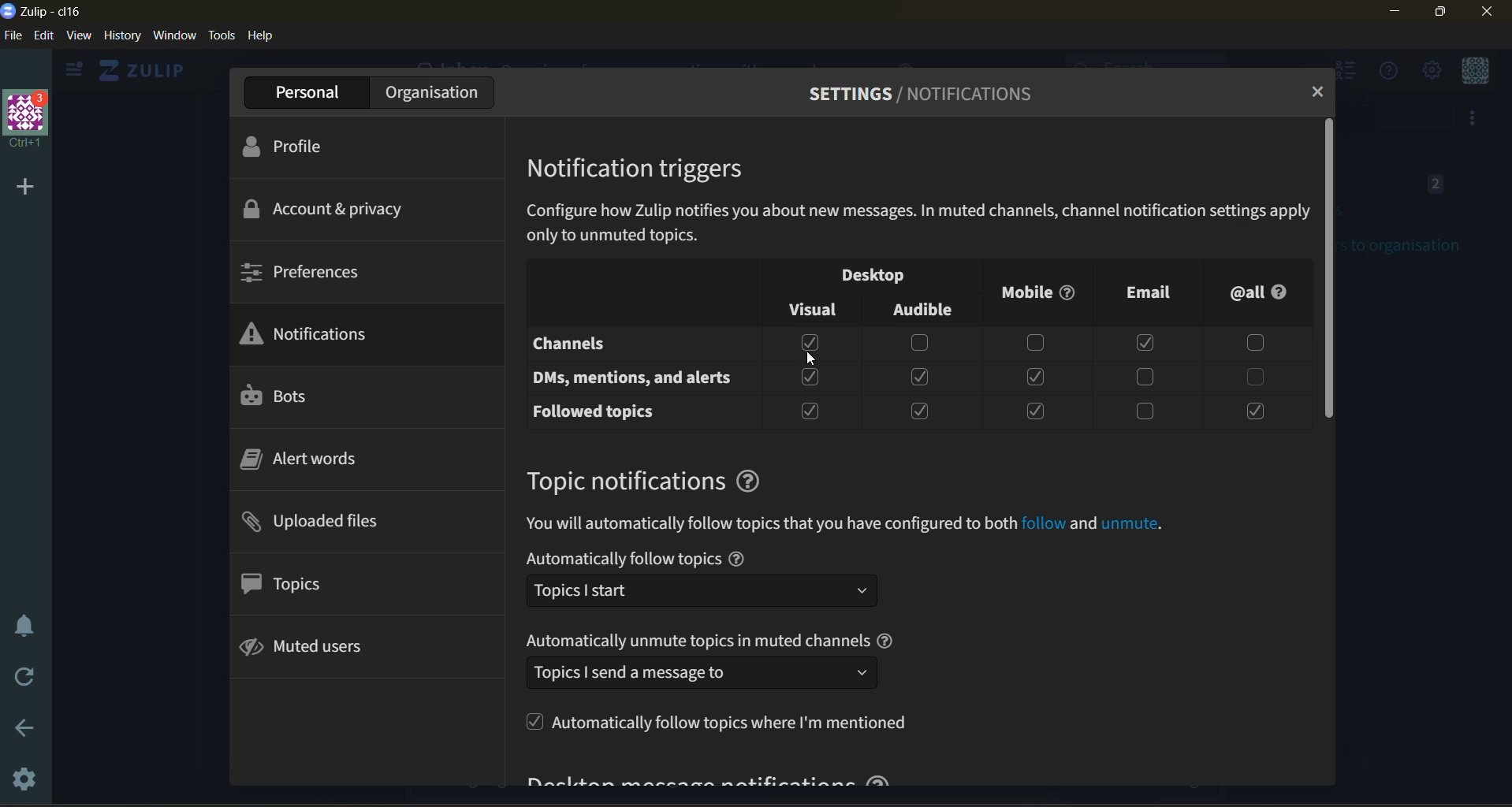  What do you see at coordinates (1317, 94) in the screenshot?
I see `close` at bounding box center [1317, 94].